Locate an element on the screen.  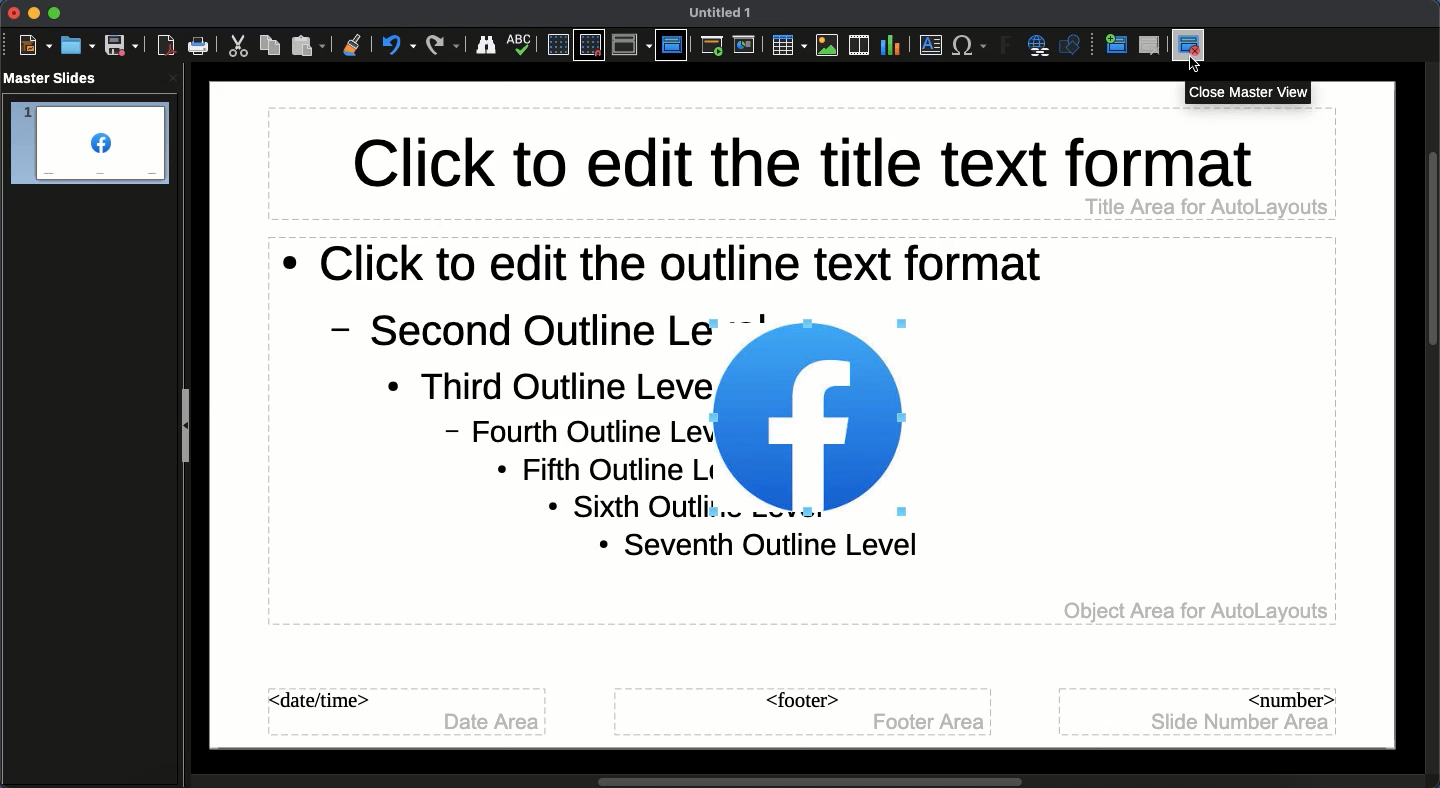
Chart is located at coordinates (888, 47).